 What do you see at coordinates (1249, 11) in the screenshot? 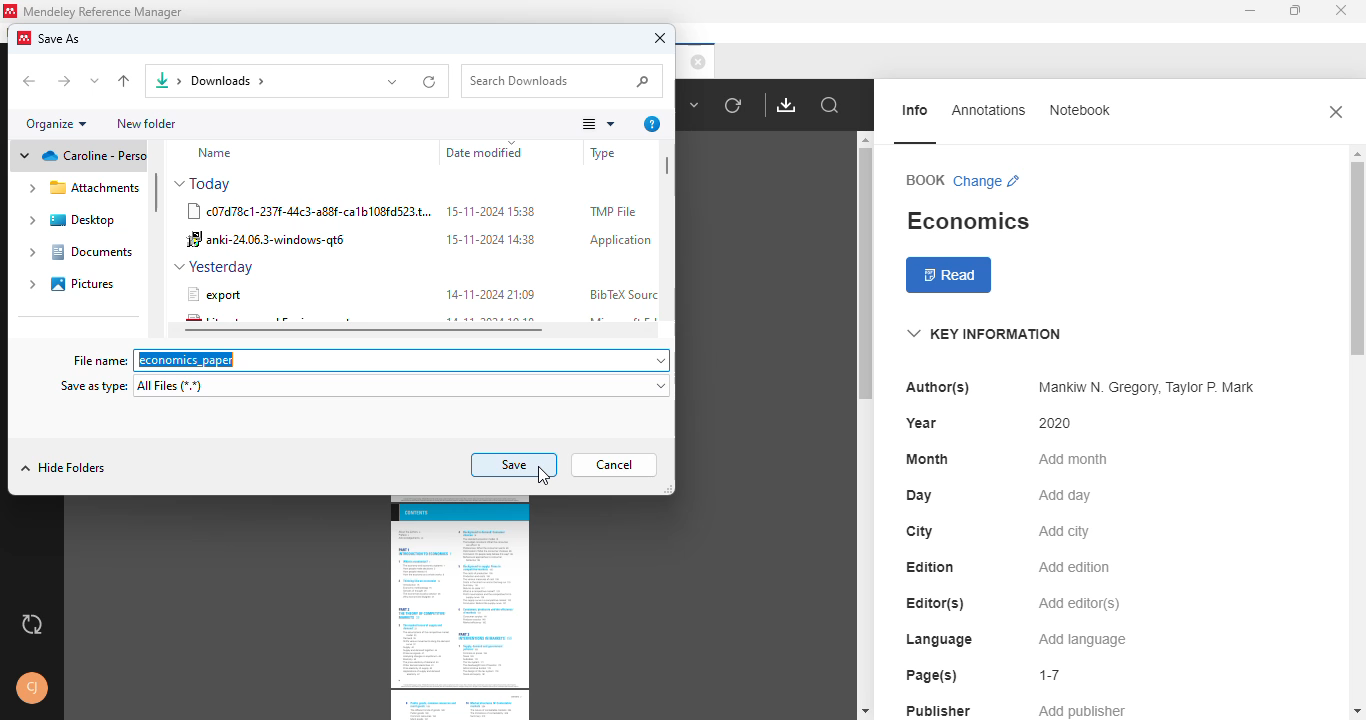
I see `minimize` at bounding box center [1249, 11].